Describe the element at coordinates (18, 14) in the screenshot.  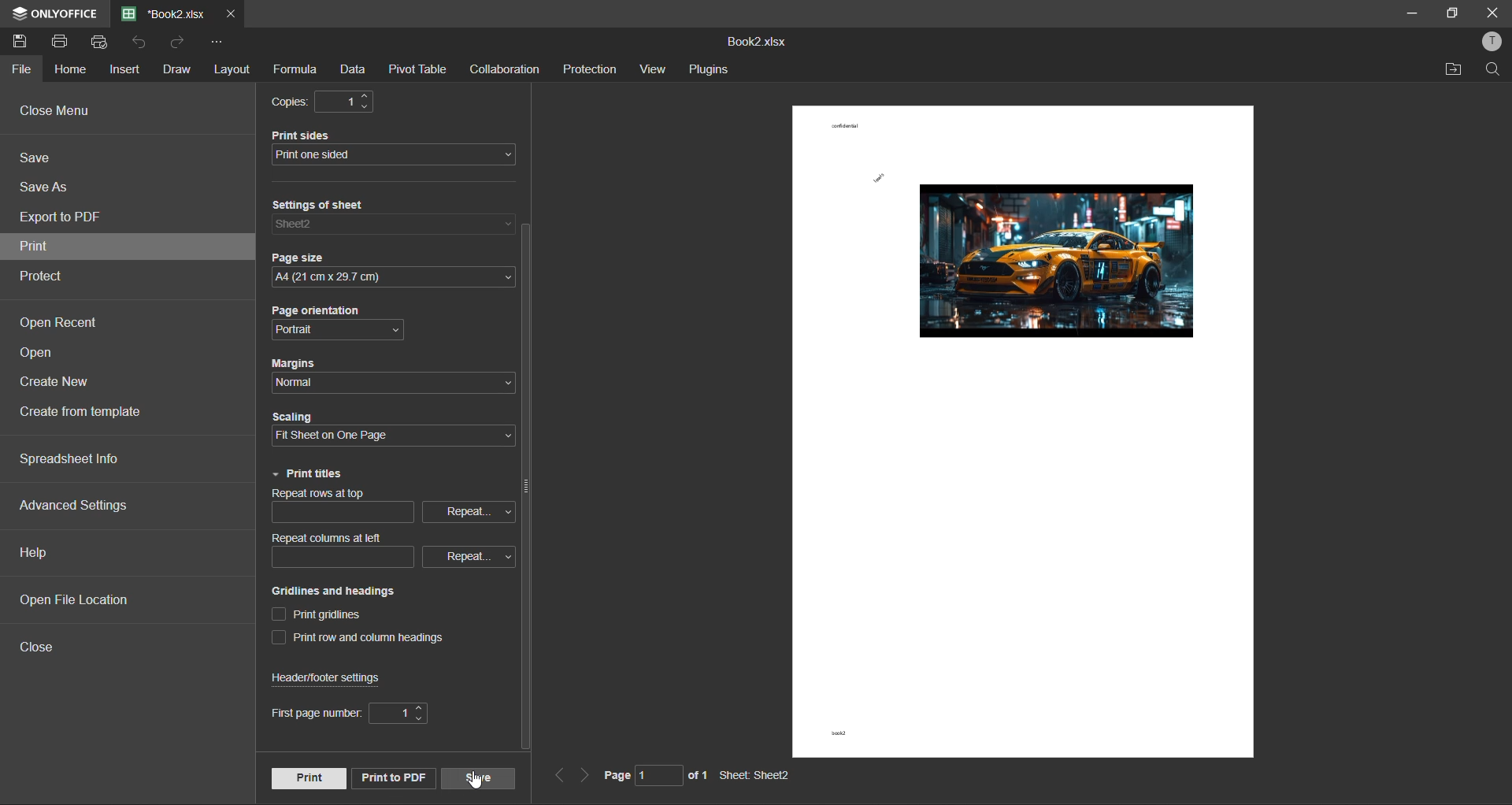
I see `icon` at that location.